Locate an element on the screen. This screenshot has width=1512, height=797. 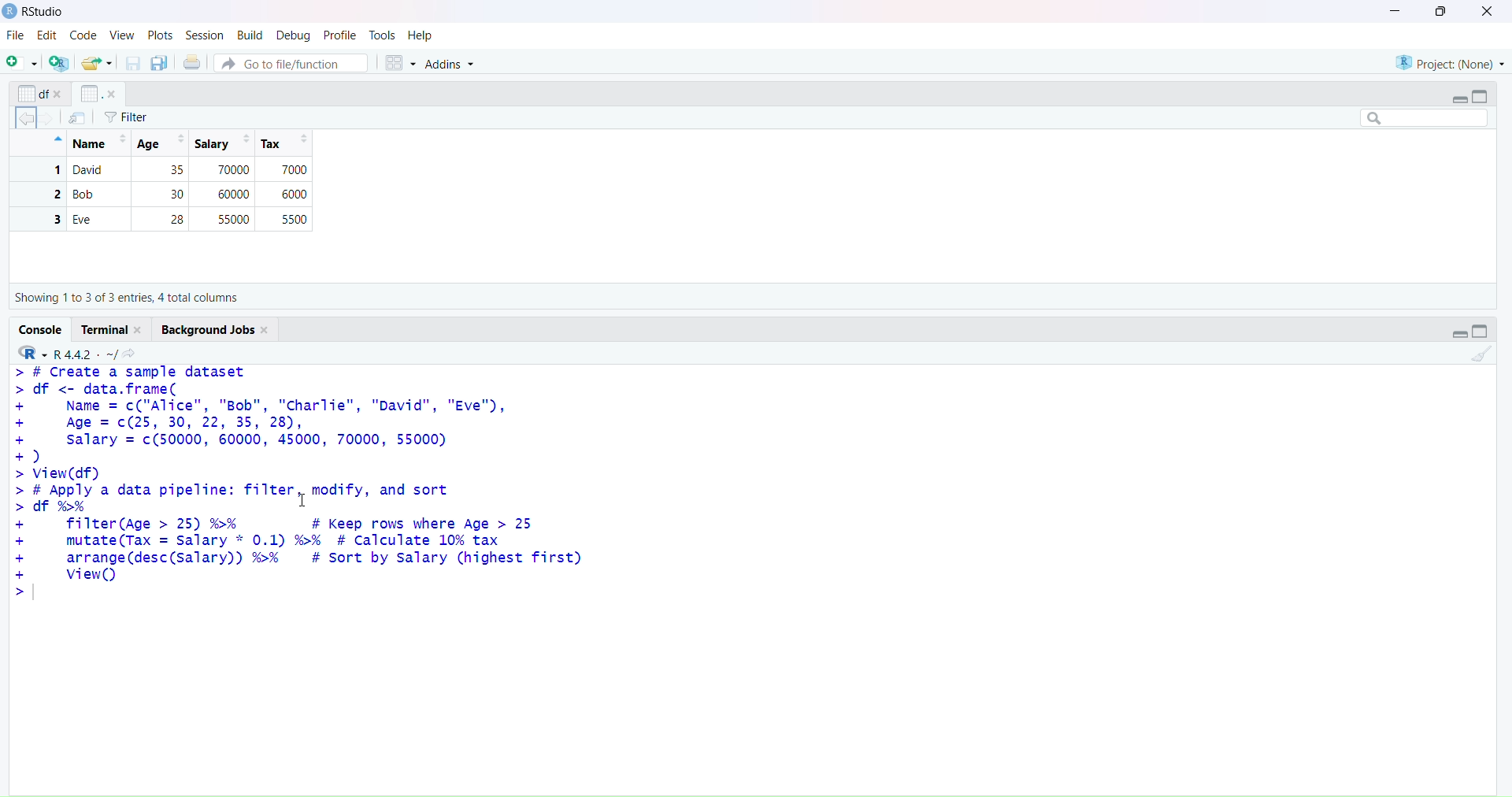
options of x is located at coordinates (34, 91).